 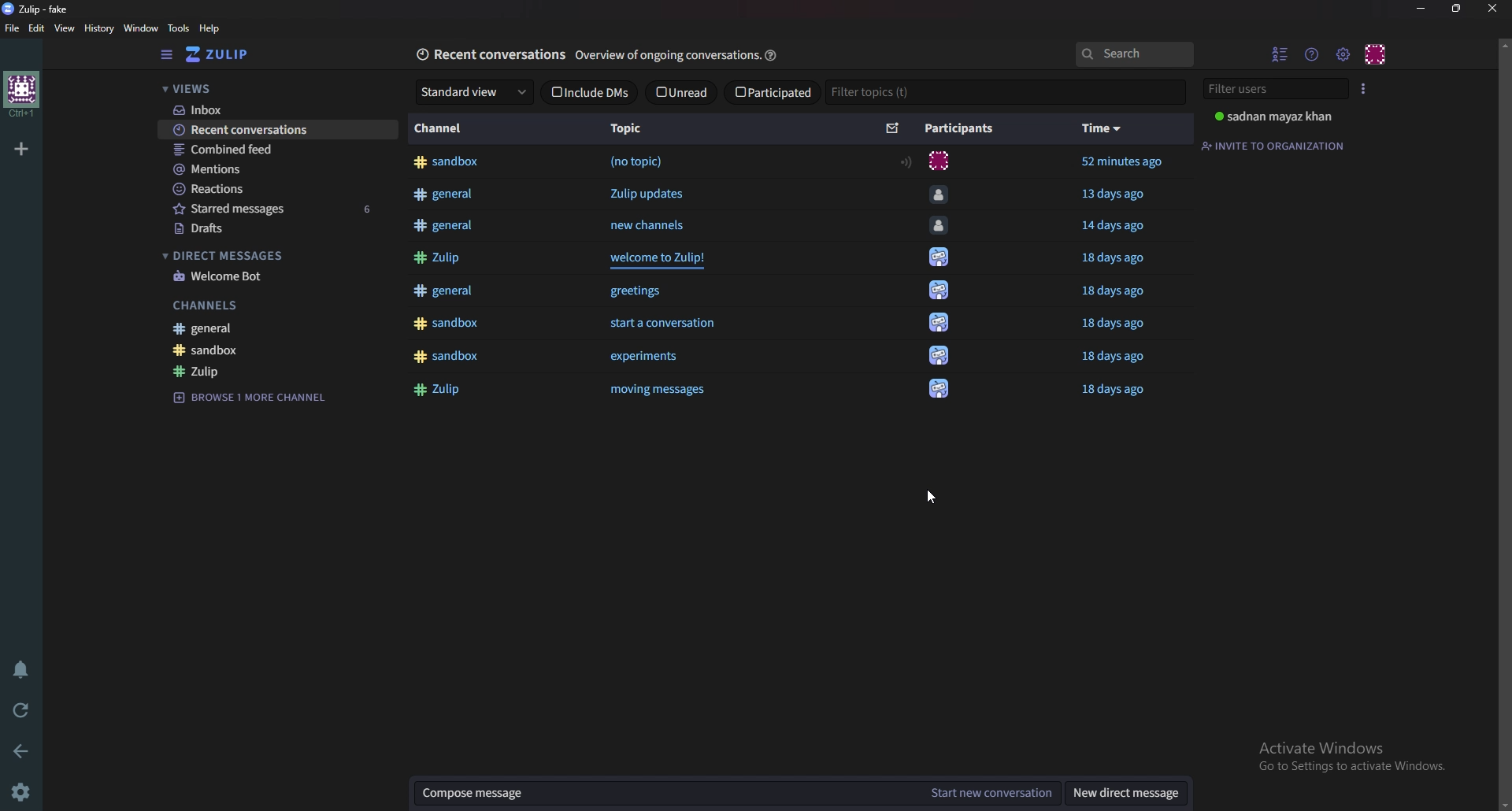 I want to click on icon, so click(x=939, y=324).